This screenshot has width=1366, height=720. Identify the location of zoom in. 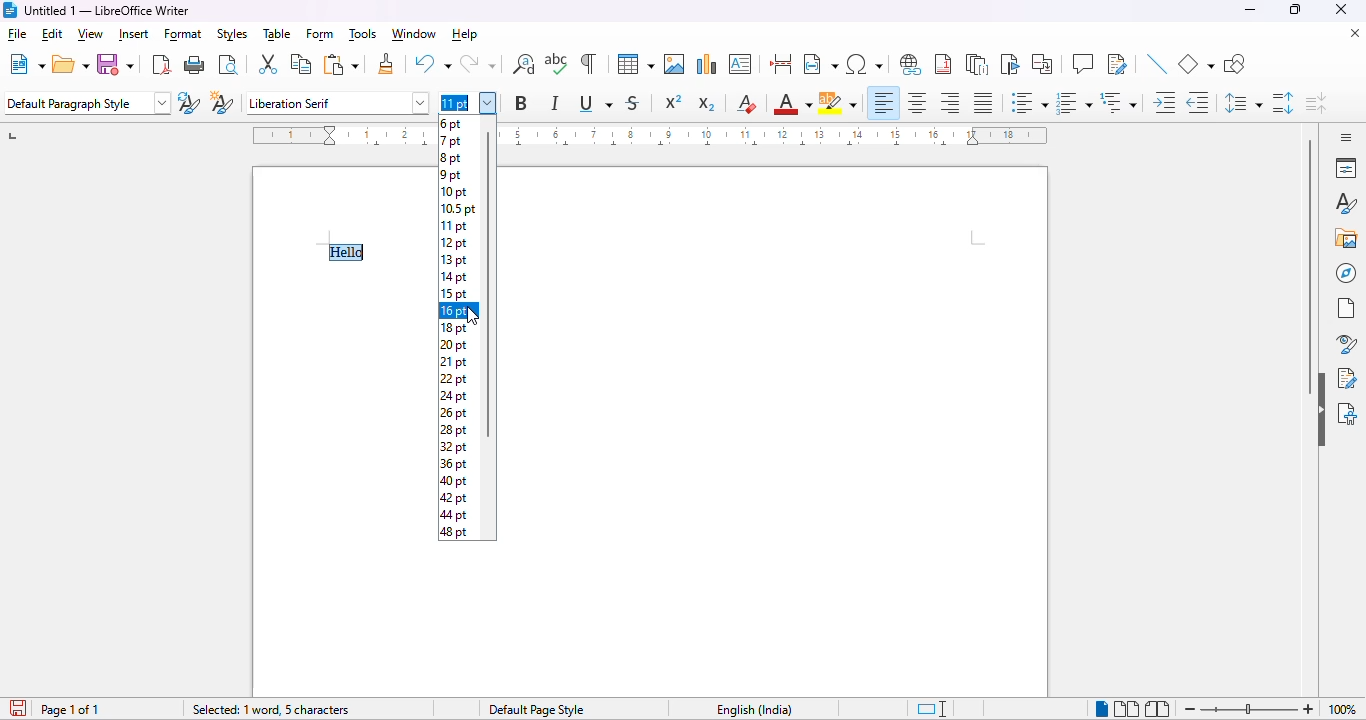
(1307, 708).